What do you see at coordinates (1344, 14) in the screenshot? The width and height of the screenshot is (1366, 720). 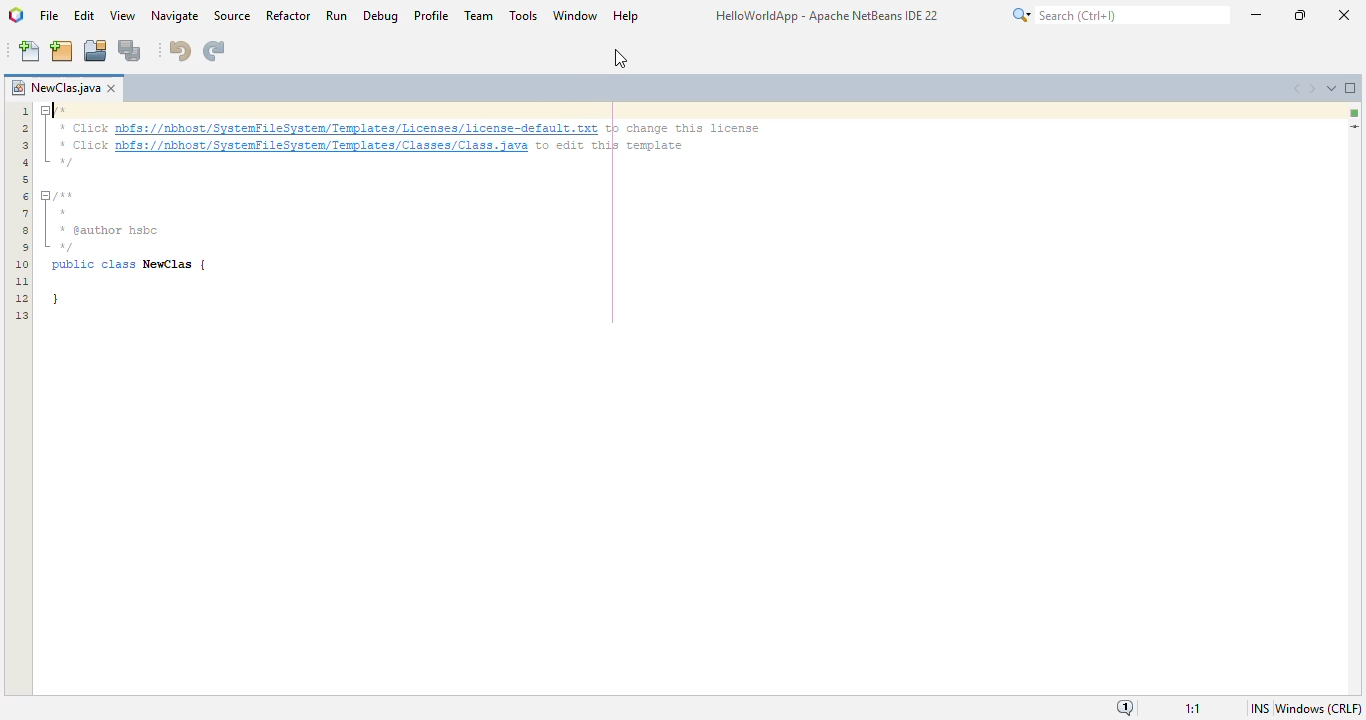 I see `close` at bounding box center [1344, 14].